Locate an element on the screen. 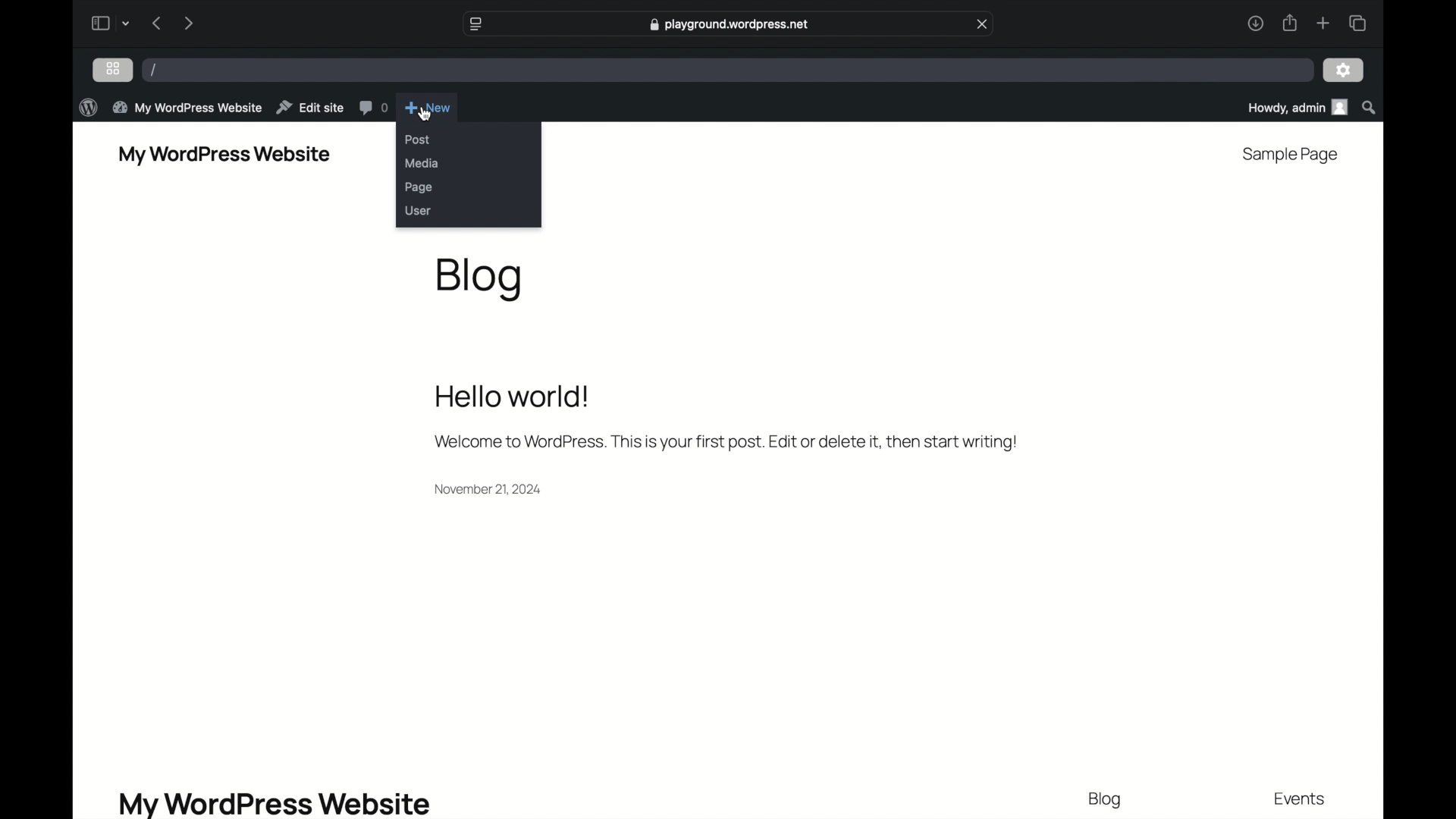 The height and width of the screenshot is (819, 1456). blog is located at coordinates (481, 278).